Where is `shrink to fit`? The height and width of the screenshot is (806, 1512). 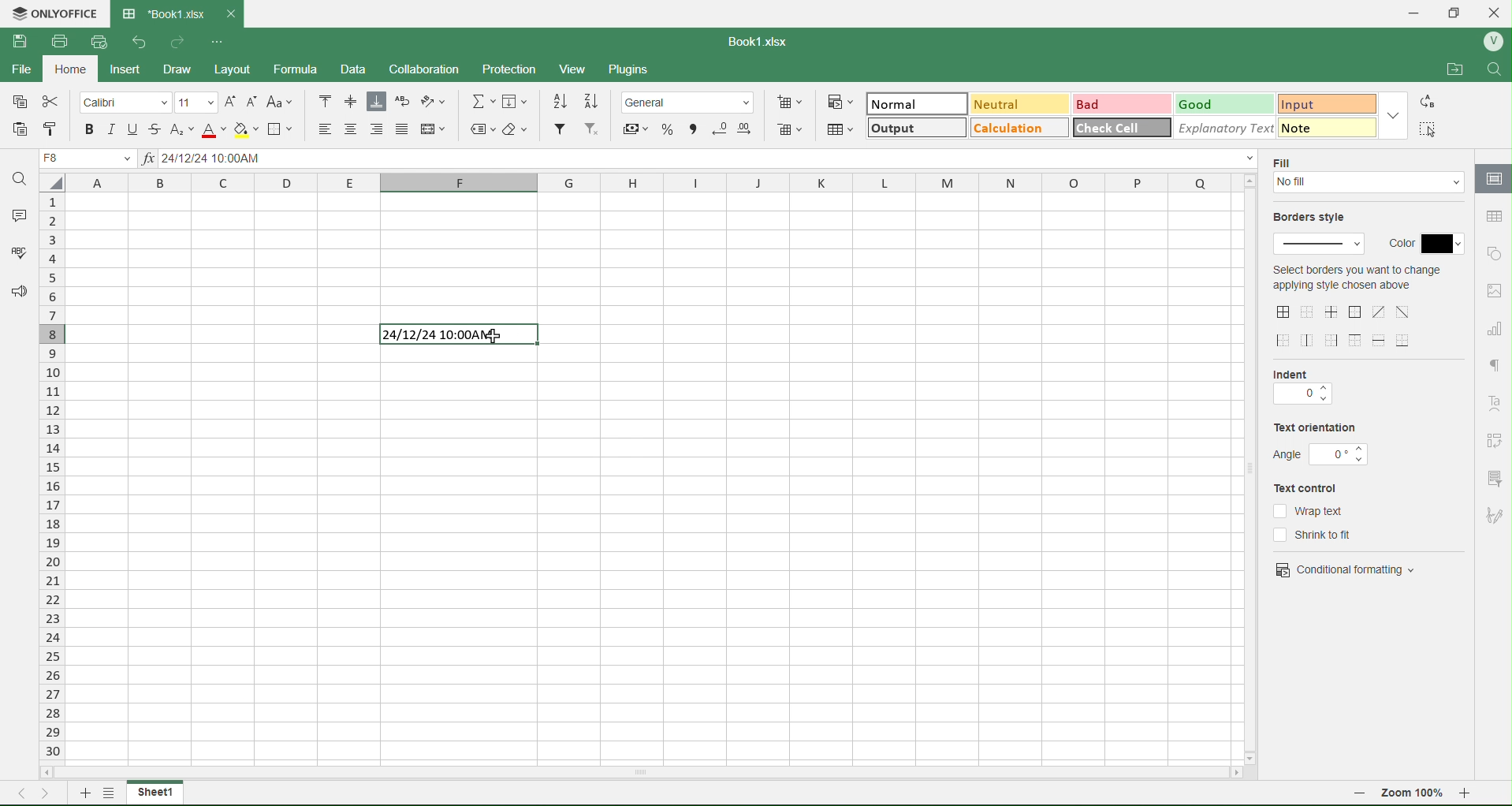
shrink to fit is located at coordinates (1322, 535).